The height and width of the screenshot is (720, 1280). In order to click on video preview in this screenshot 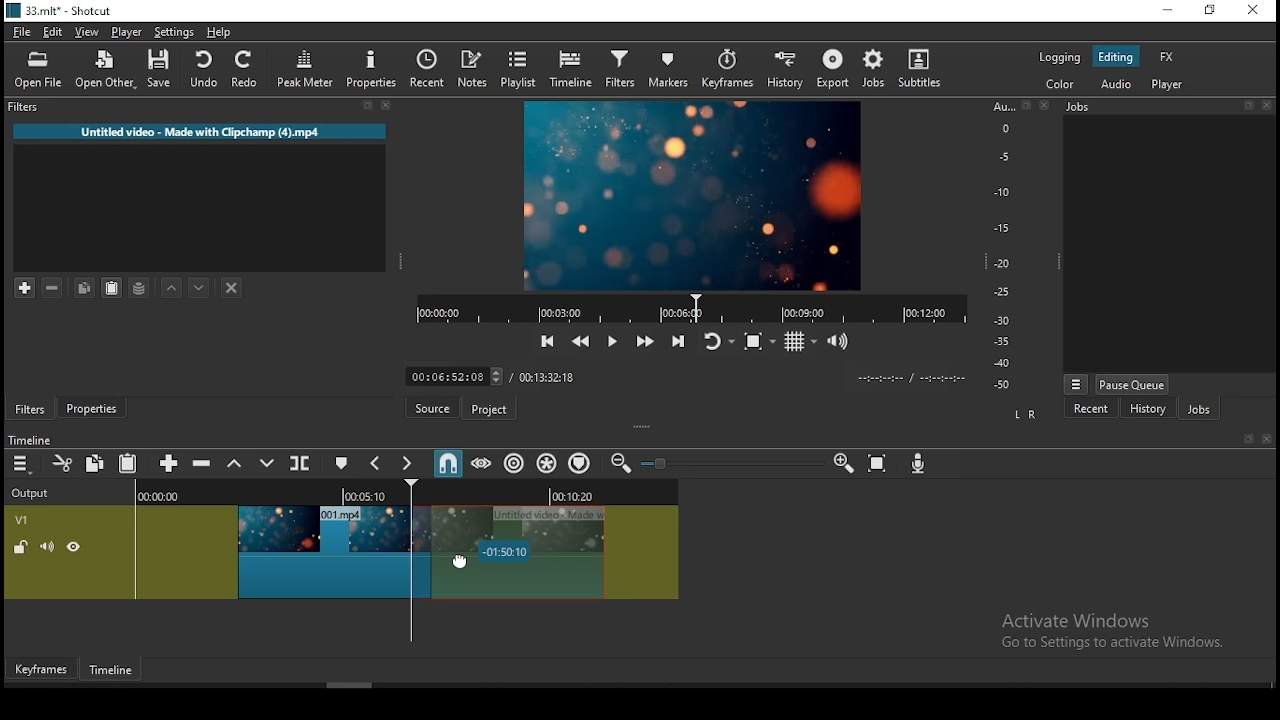, I will do `click(695, 197)`.